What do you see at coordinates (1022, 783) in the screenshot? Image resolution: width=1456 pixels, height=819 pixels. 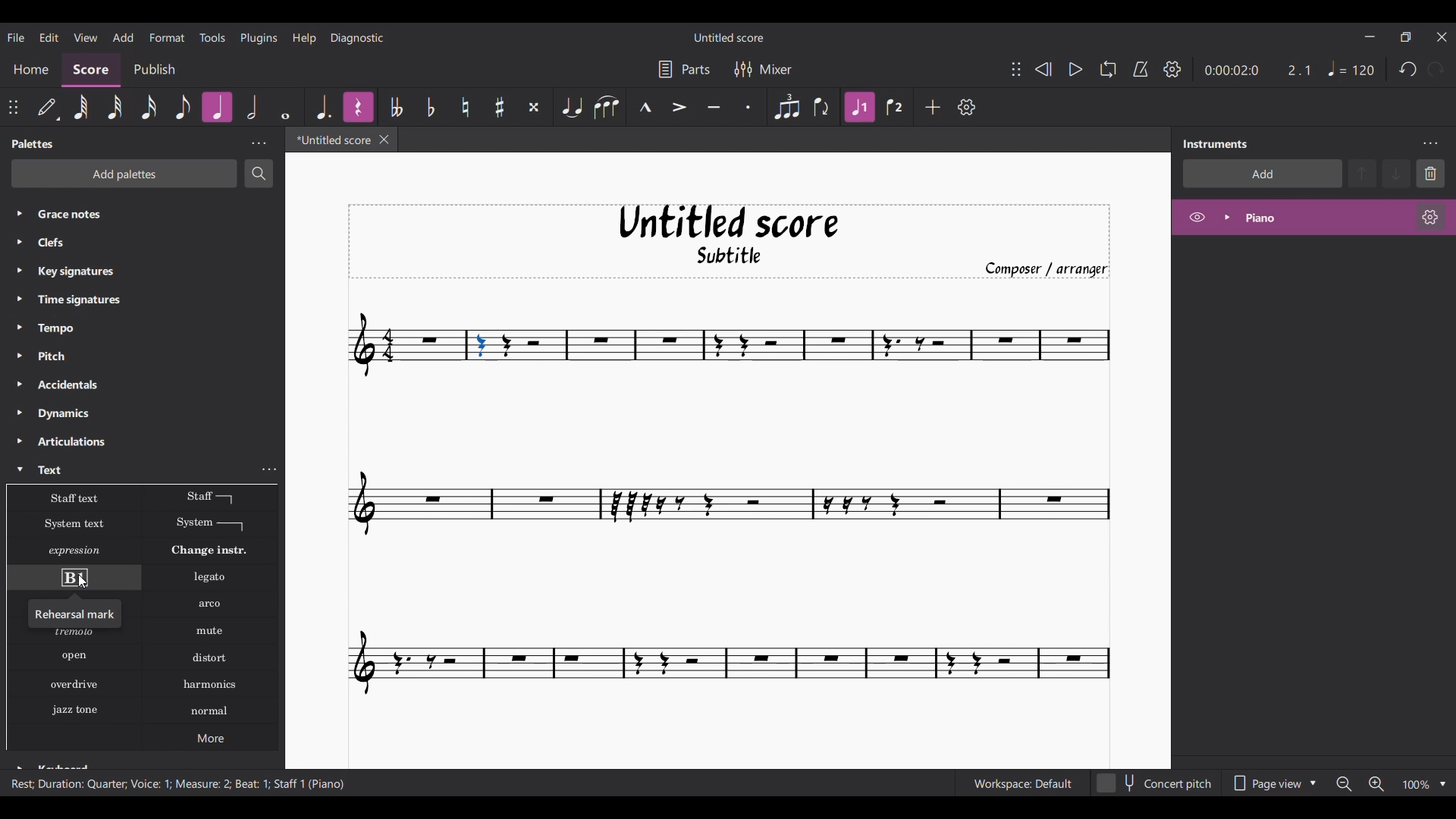 I see `Workspace: Default` at bounding box center [1022, 783].